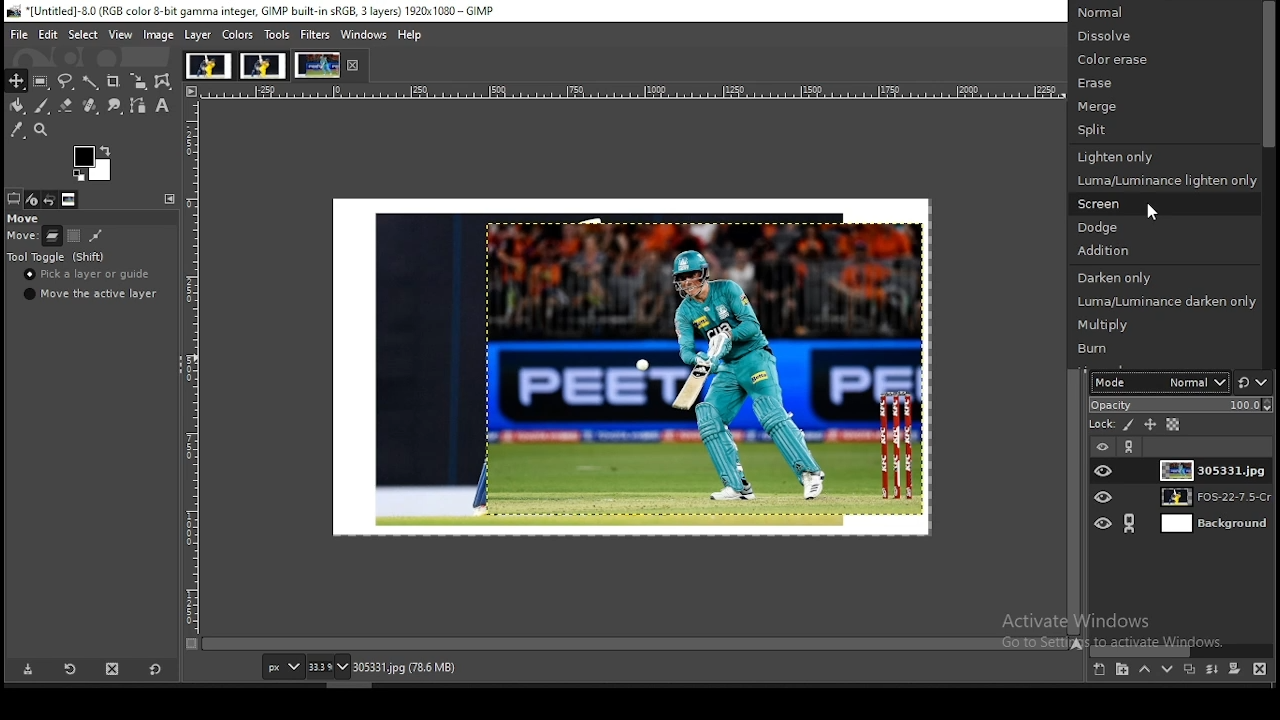 Image resolution: width=1280 pixels, height=720 pixels. I want to click on tool options, so click(14, 197).